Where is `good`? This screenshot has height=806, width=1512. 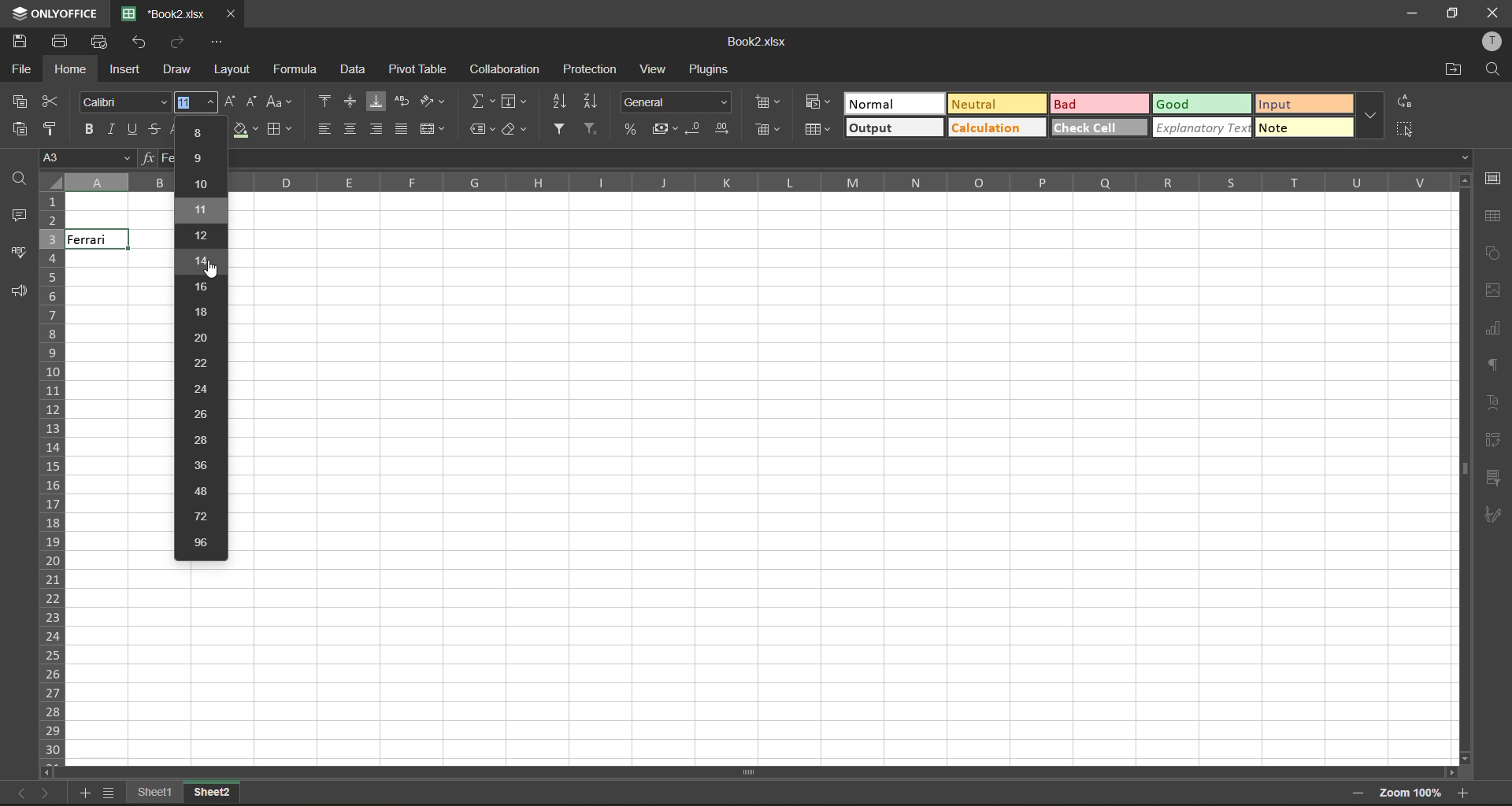 good is located at coordinates (1203, 105).